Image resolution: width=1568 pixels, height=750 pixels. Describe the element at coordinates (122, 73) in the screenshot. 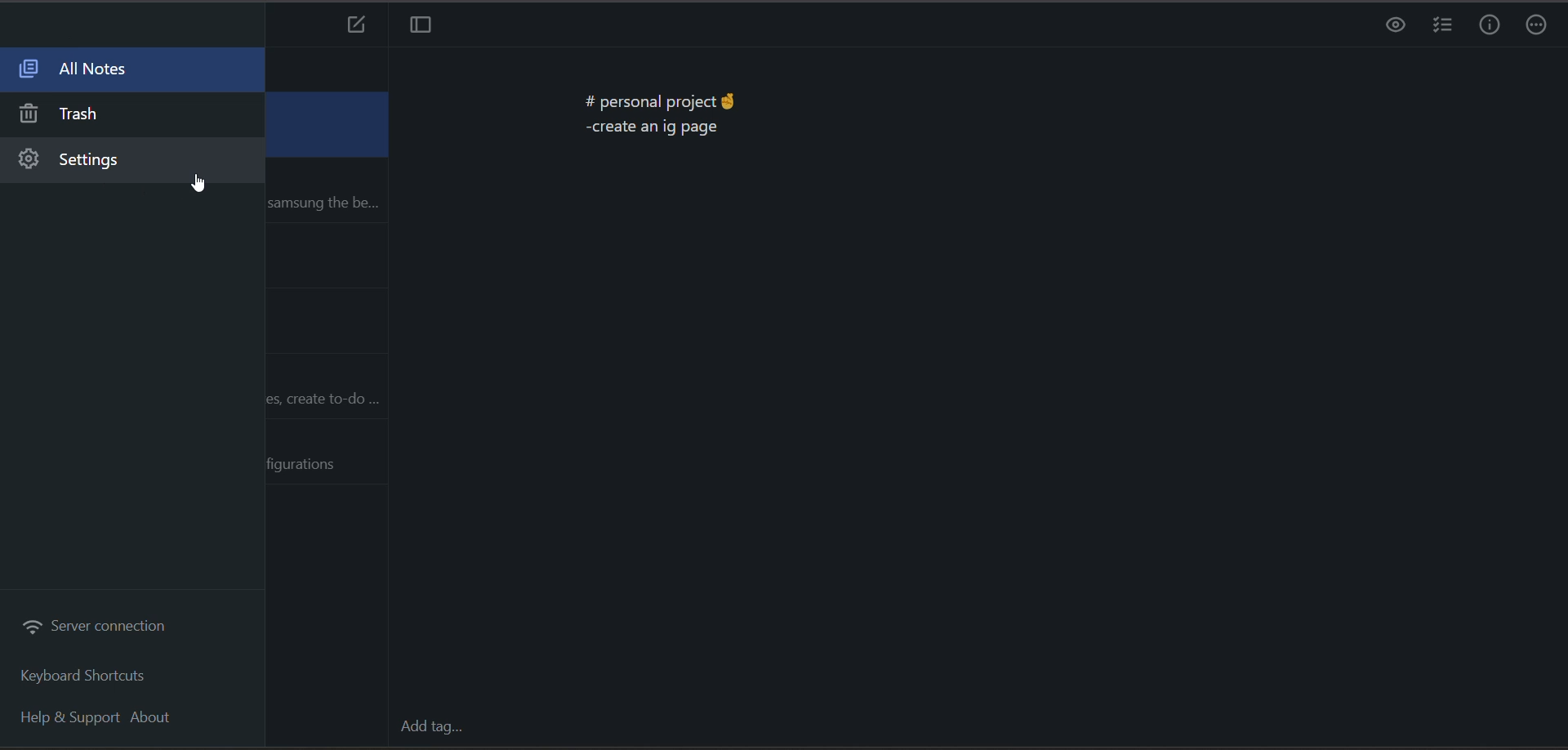

I see `all notes` at that location.